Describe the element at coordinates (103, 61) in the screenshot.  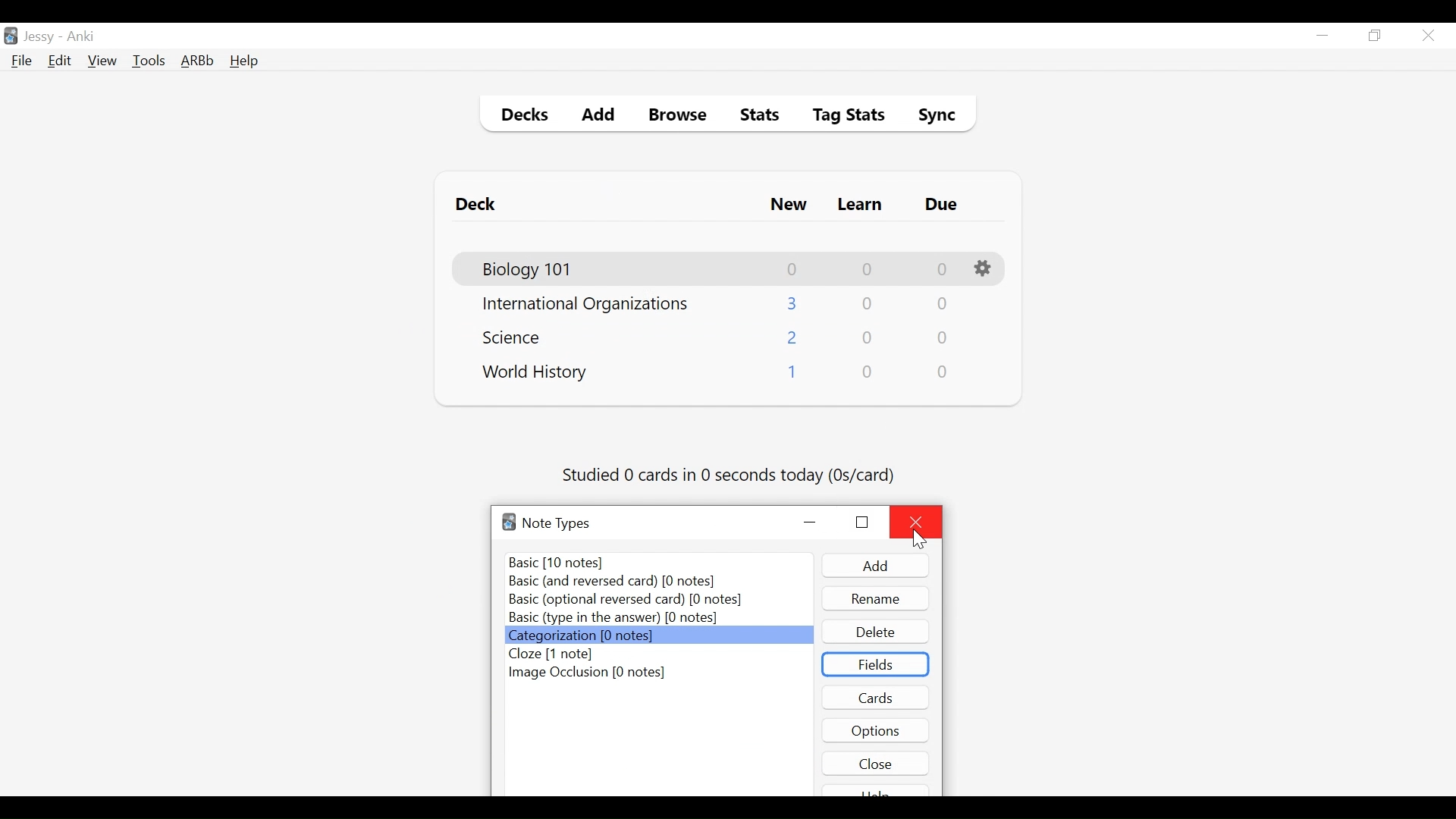
I see `View` at that location.